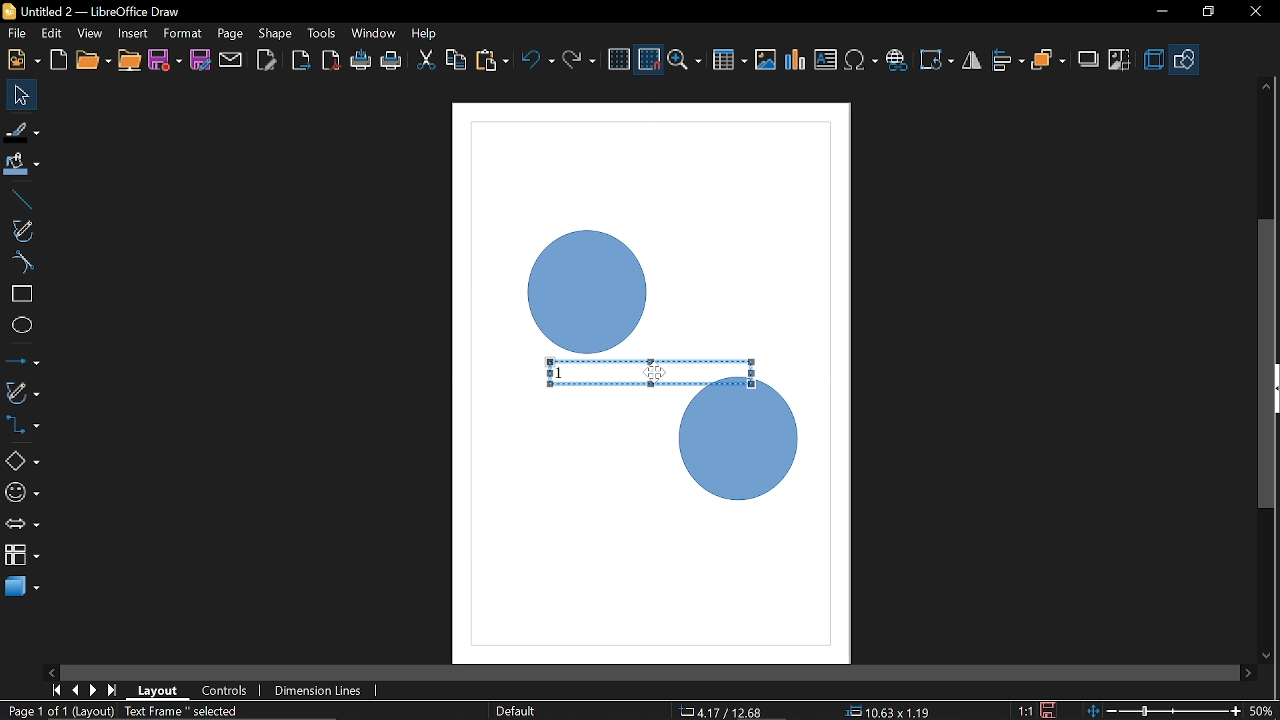  I want to click on Save as, so click(200, 60).